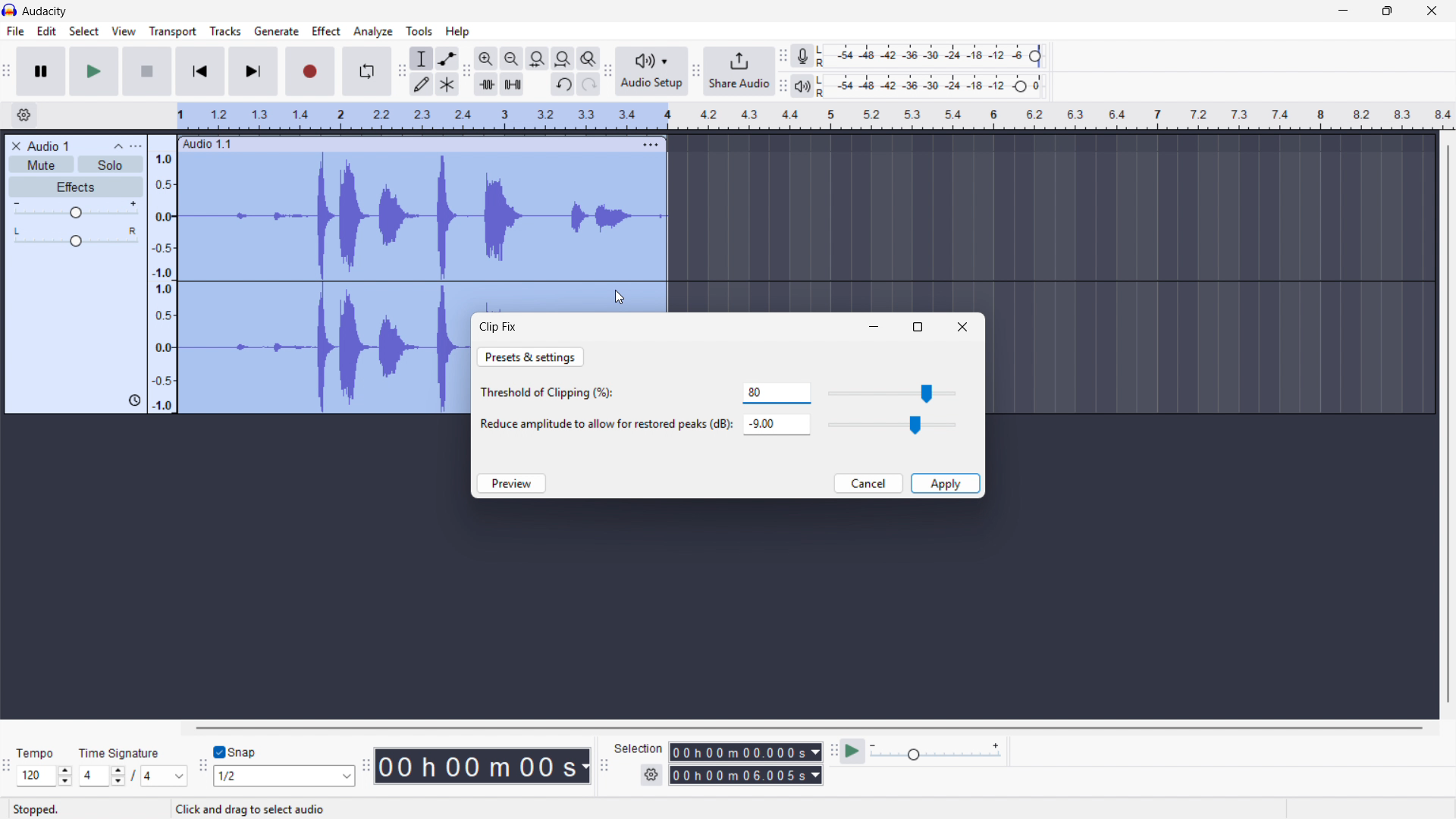  I want to click on Recording metre toolbar, so click(783, 56).